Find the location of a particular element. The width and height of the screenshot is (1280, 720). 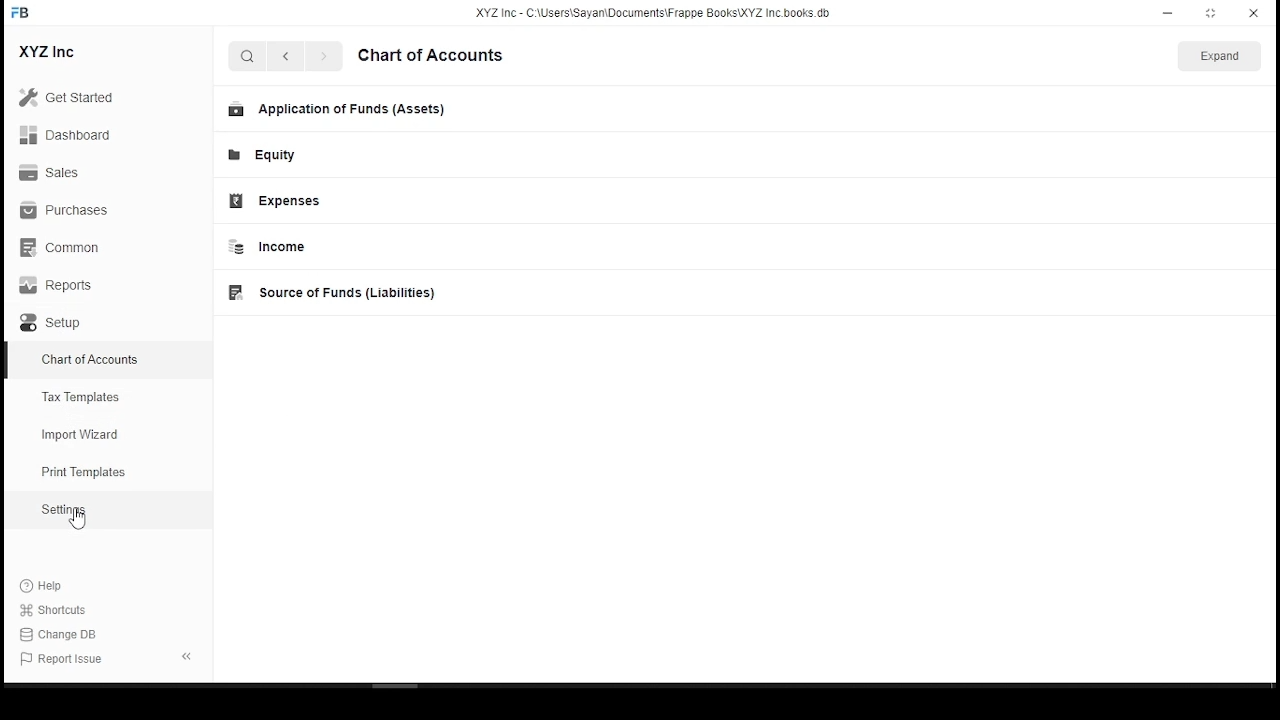

Purchases is located at coordinates (63, 208).